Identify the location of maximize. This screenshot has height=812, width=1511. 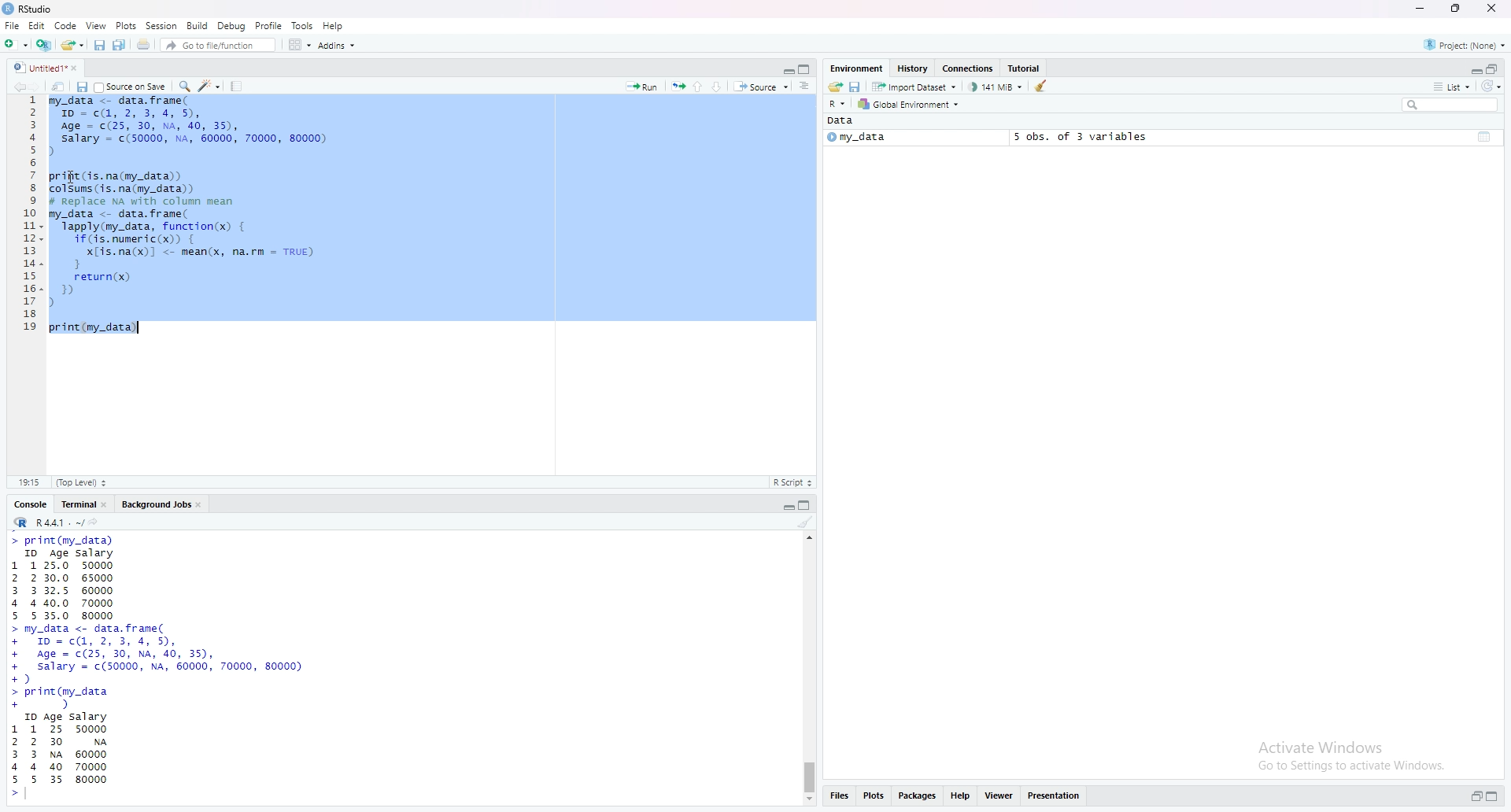
(1453, 8).